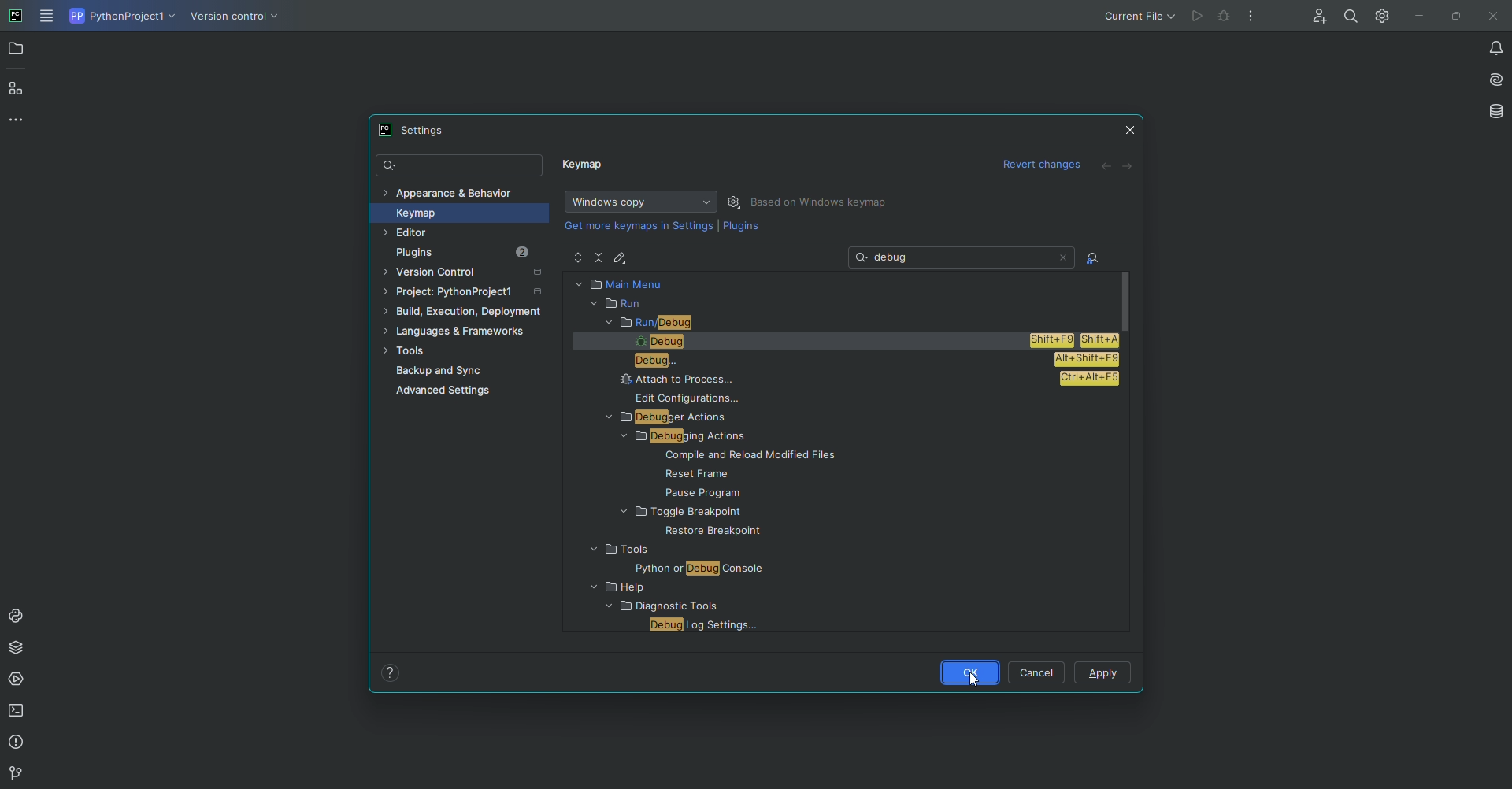 This screenshot has height=789, width=1512. What do you see at coordinates (461, 166) in the screenshot?
I see `Search` at bounding box center [461, 166].